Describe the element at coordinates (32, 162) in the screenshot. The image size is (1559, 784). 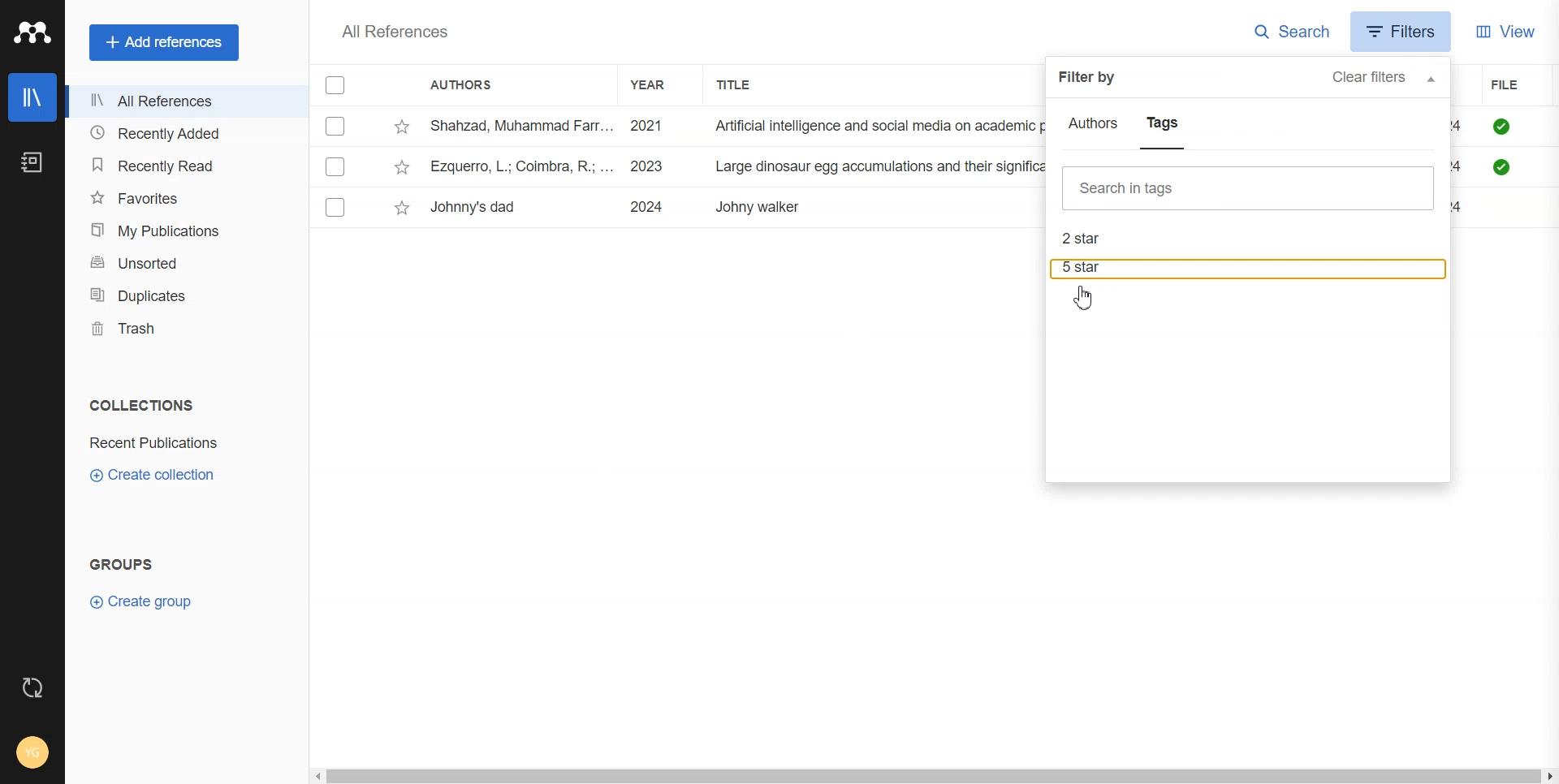
I see `Notebook` at that location.